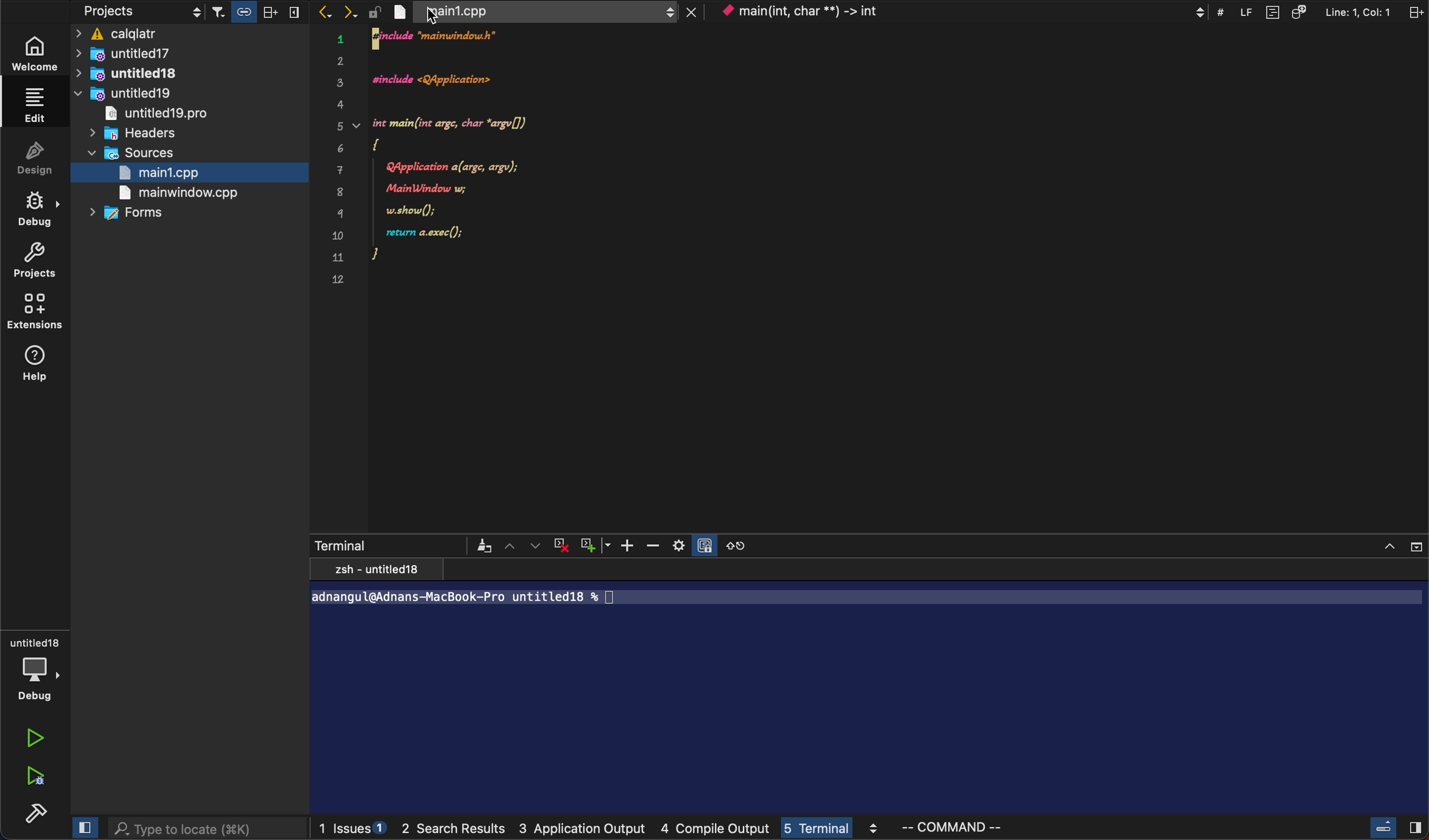  I want to click on context, so click(954, 12).